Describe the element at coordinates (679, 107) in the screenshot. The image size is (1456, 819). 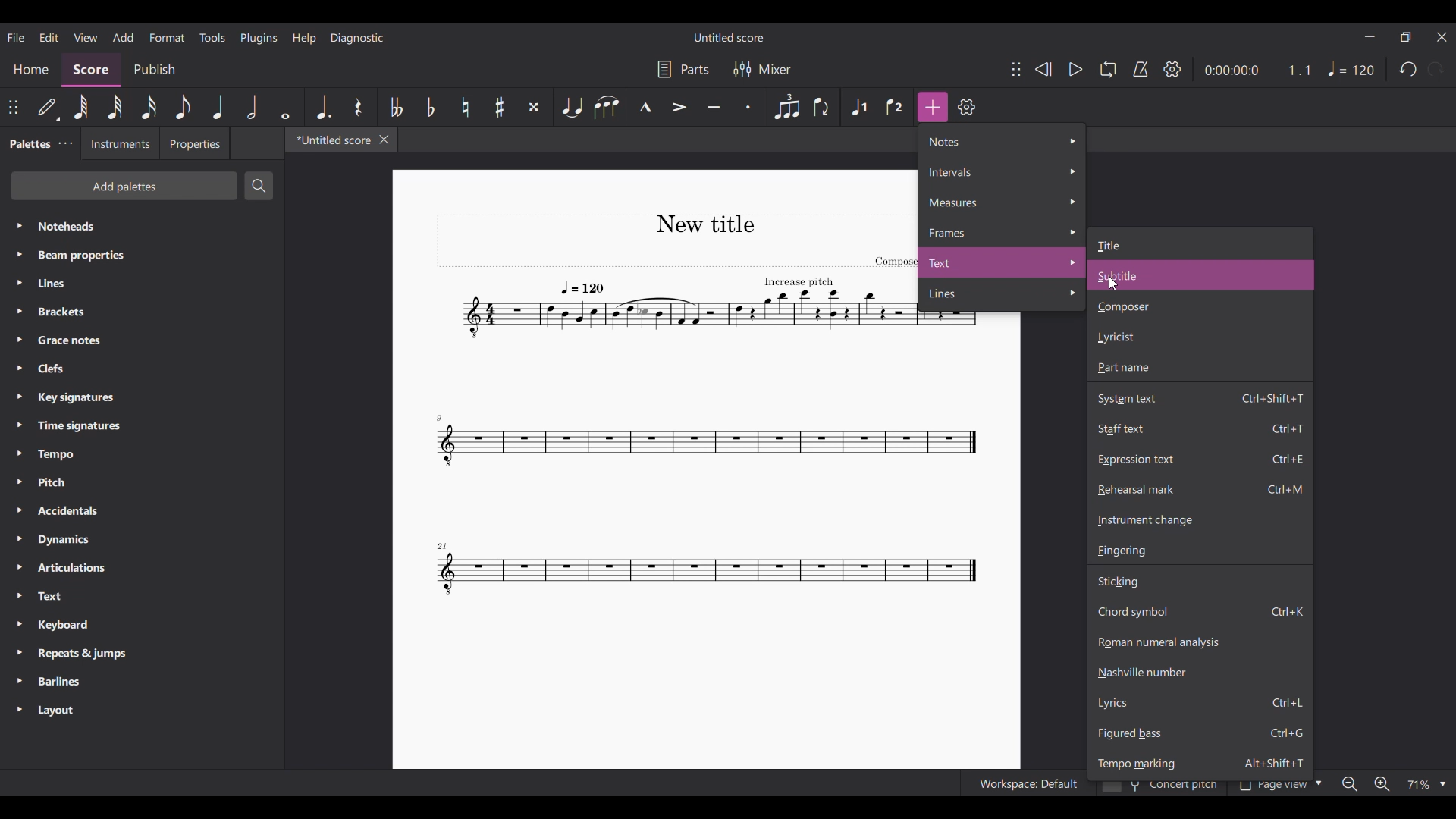
I see `Accent` at that location.